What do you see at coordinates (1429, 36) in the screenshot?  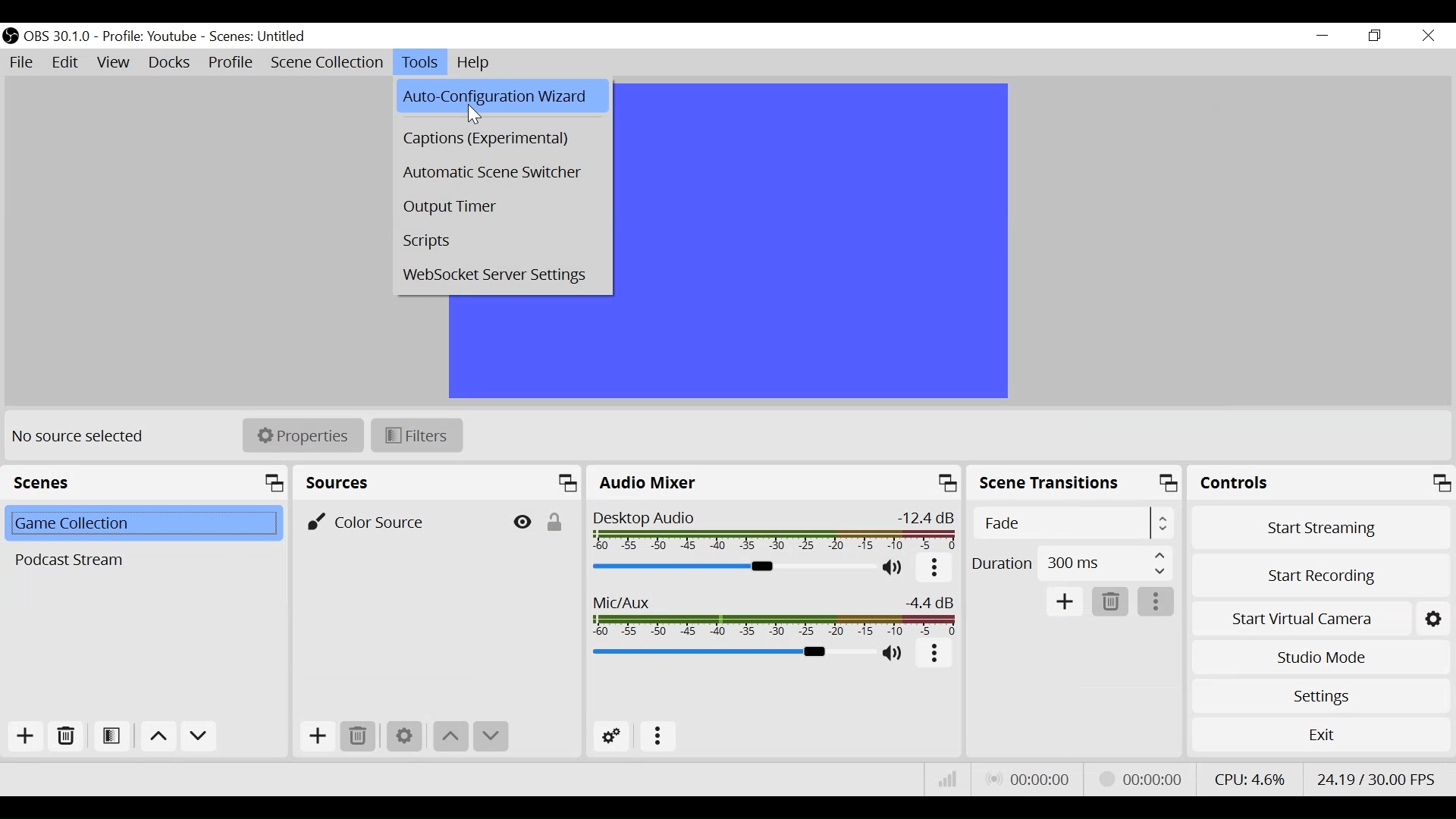 I see `Close` at bounding box center [1429, 36].